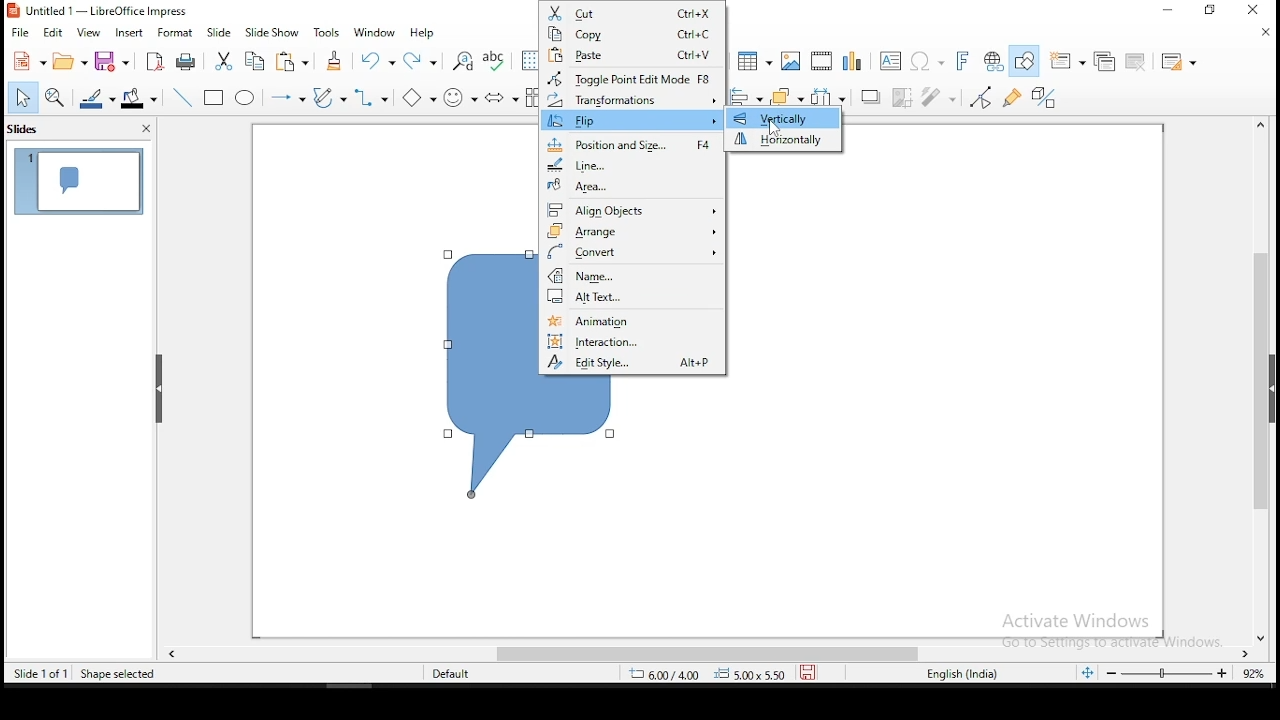 The width and height of the screenshot is (1280, 720). I want to click on align objects, so click(632, 209).